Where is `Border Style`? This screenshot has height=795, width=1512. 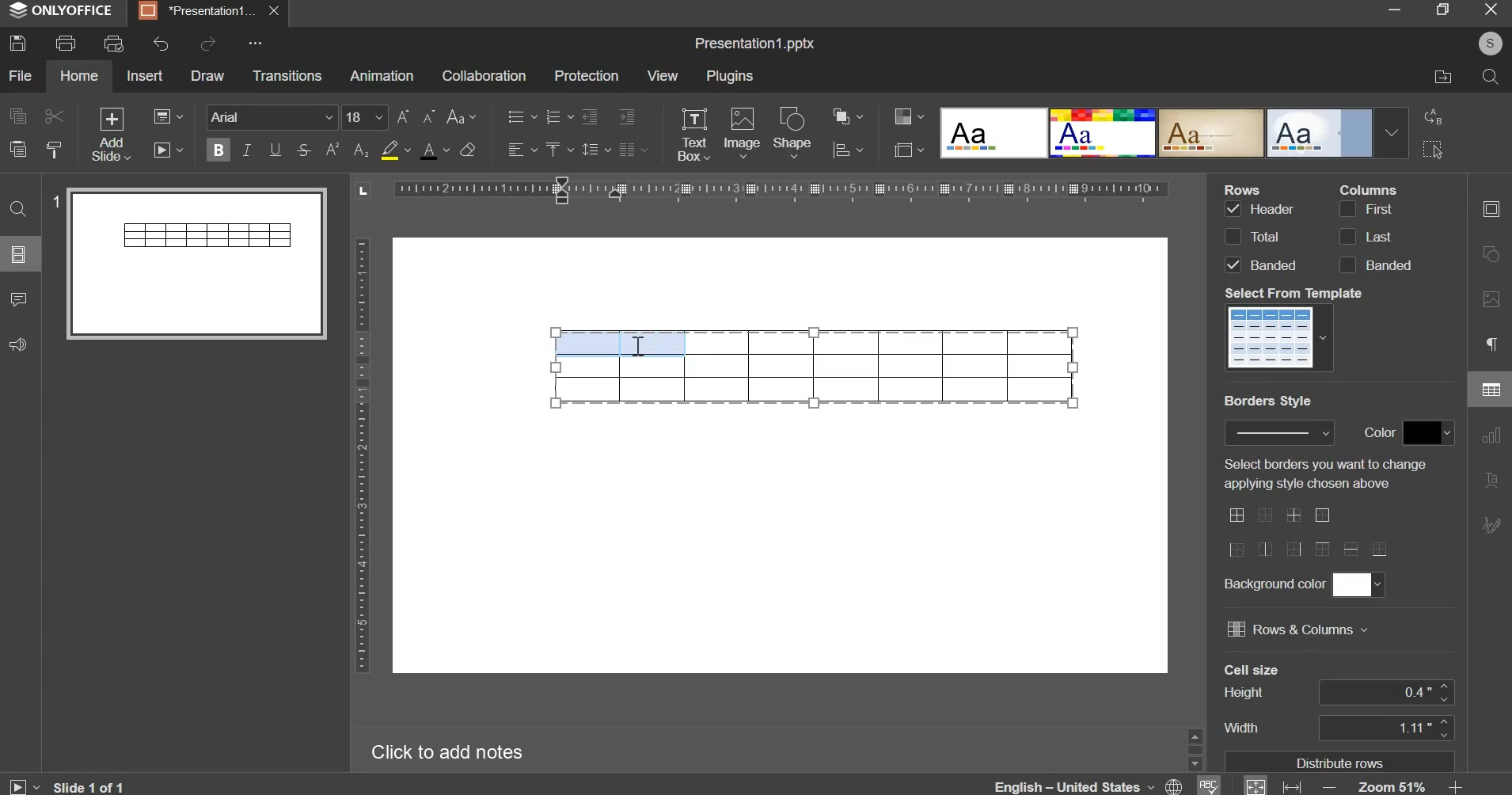
Border Style is located at coordinates (1268, 401).